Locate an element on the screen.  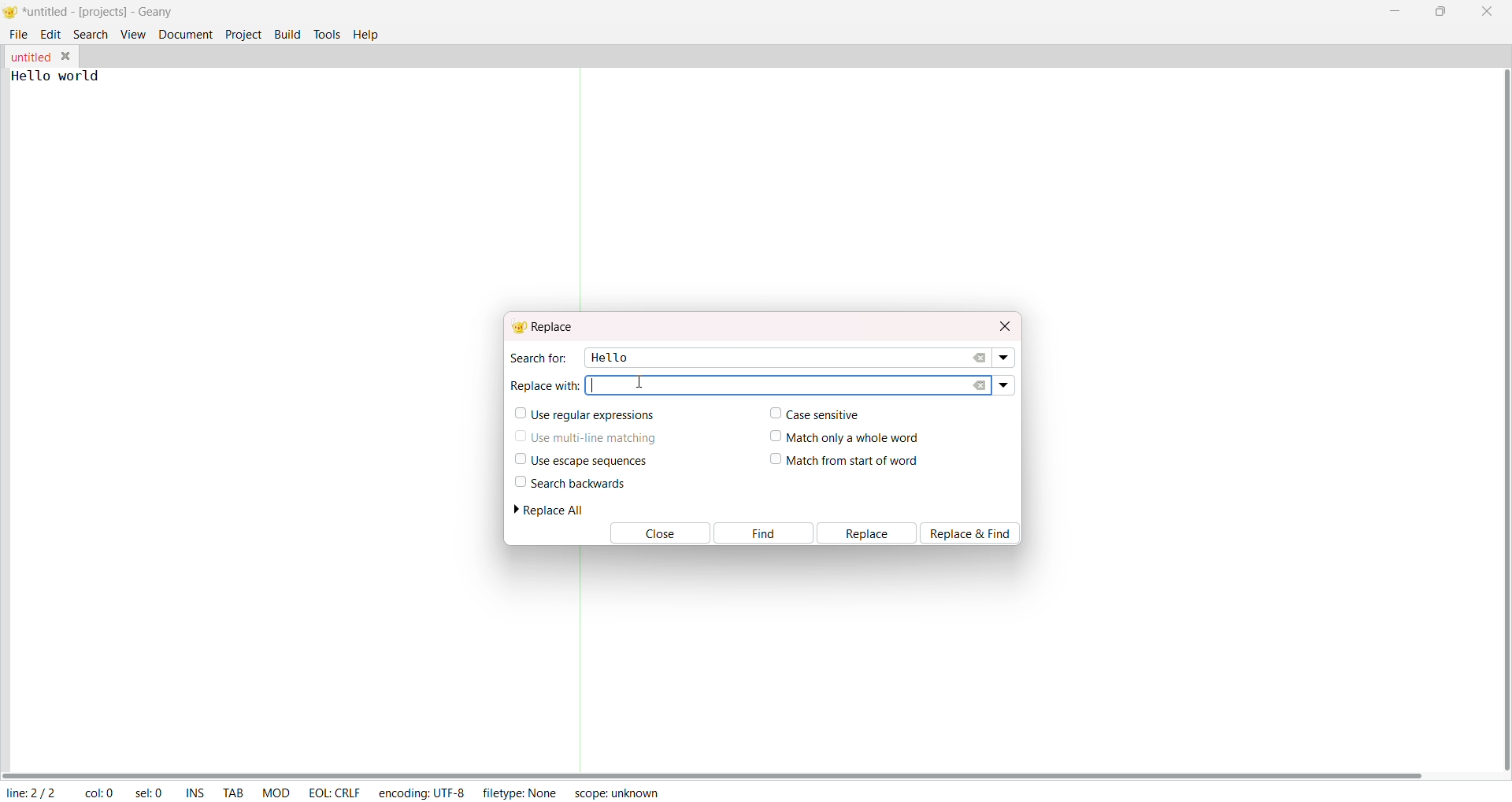
replace dropdown is located at coordinates (1003, 384).